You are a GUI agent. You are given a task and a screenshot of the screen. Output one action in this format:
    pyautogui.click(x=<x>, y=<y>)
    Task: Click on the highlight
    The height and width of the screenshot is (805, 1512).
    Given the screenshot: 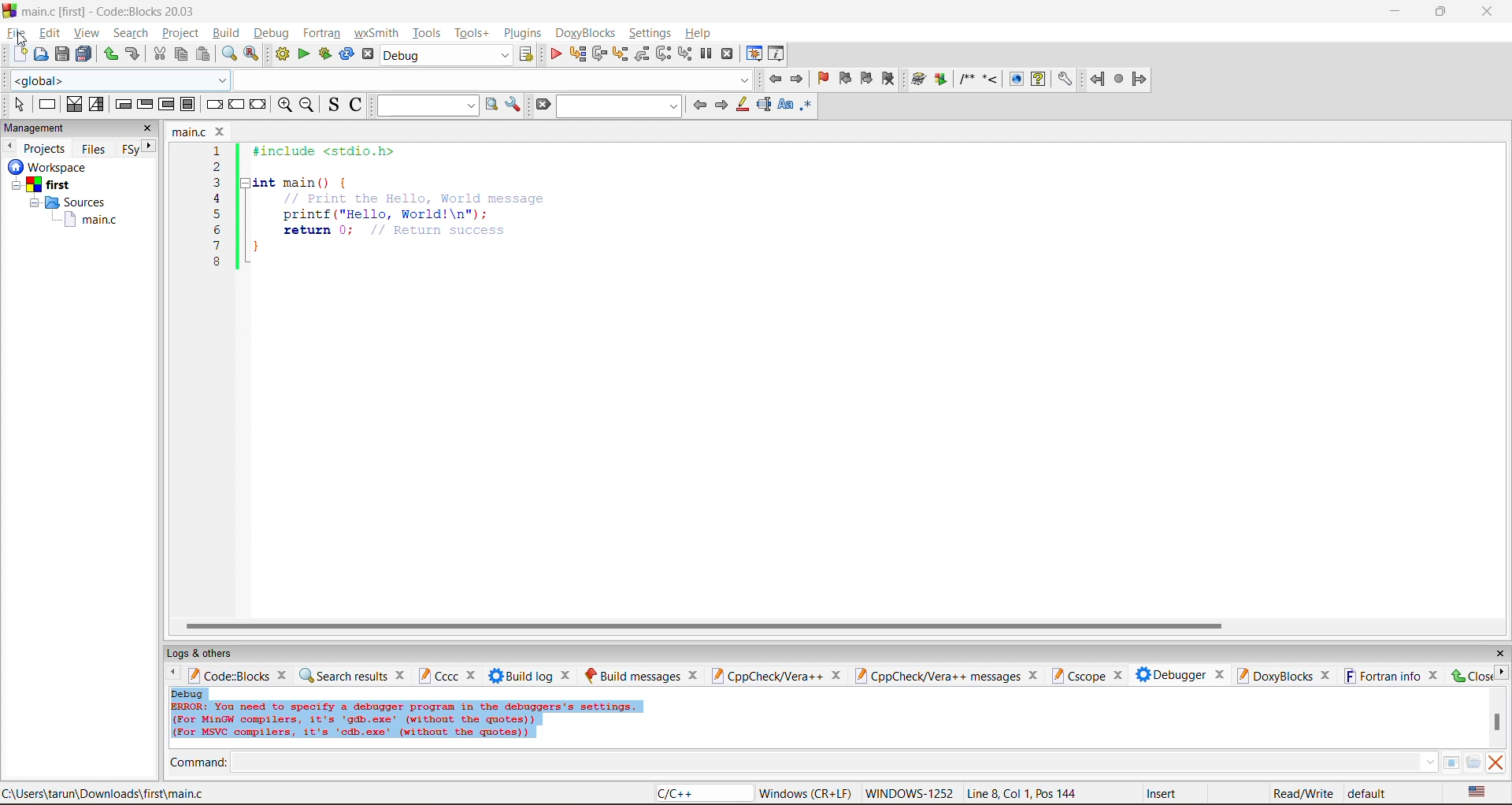 What is the action you would take?
    pyautogui.click(x=741, y=106)
    